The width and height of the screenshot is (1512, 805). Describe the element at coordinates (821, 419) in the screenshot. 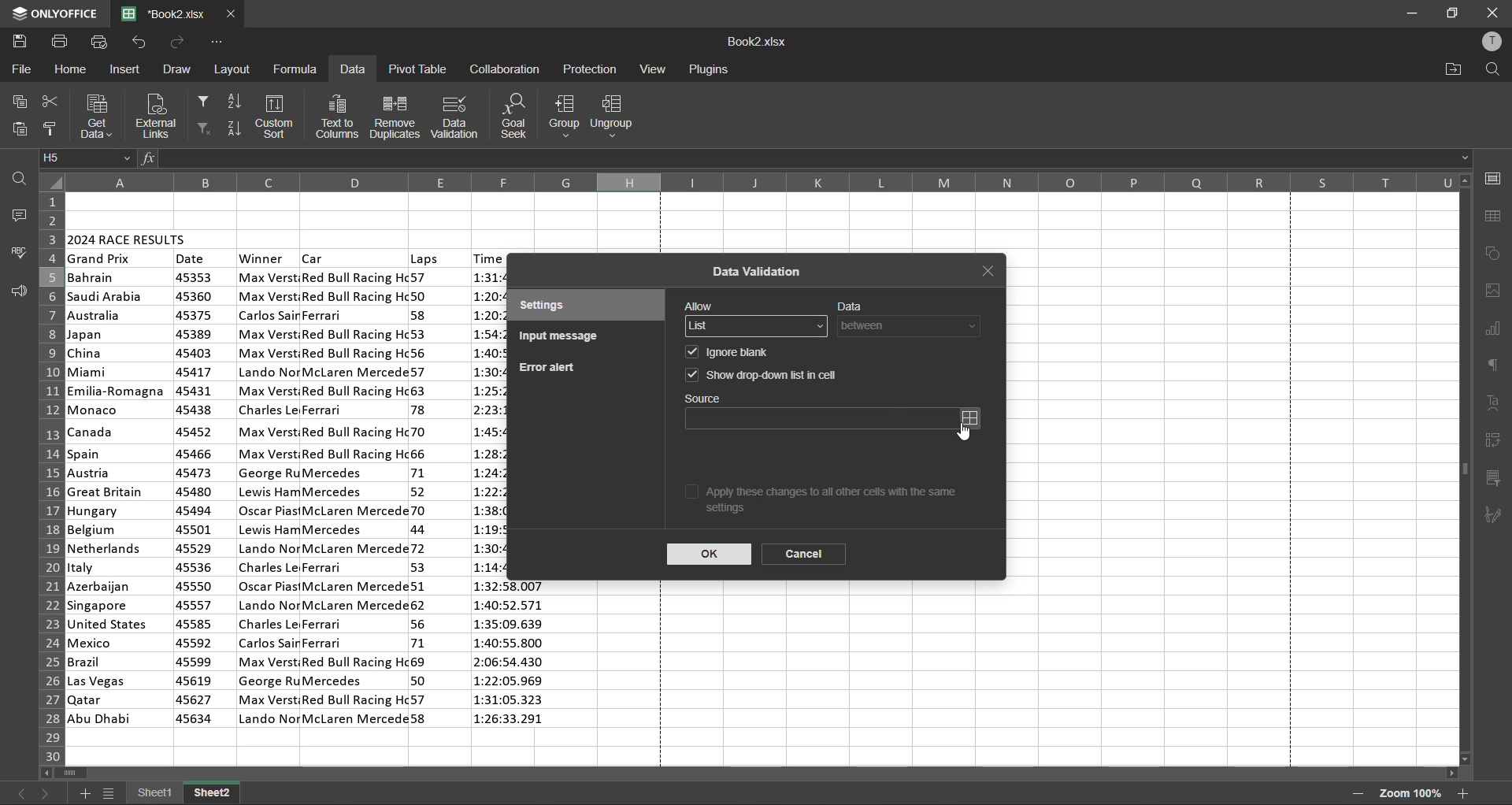

I see `source` at that location.